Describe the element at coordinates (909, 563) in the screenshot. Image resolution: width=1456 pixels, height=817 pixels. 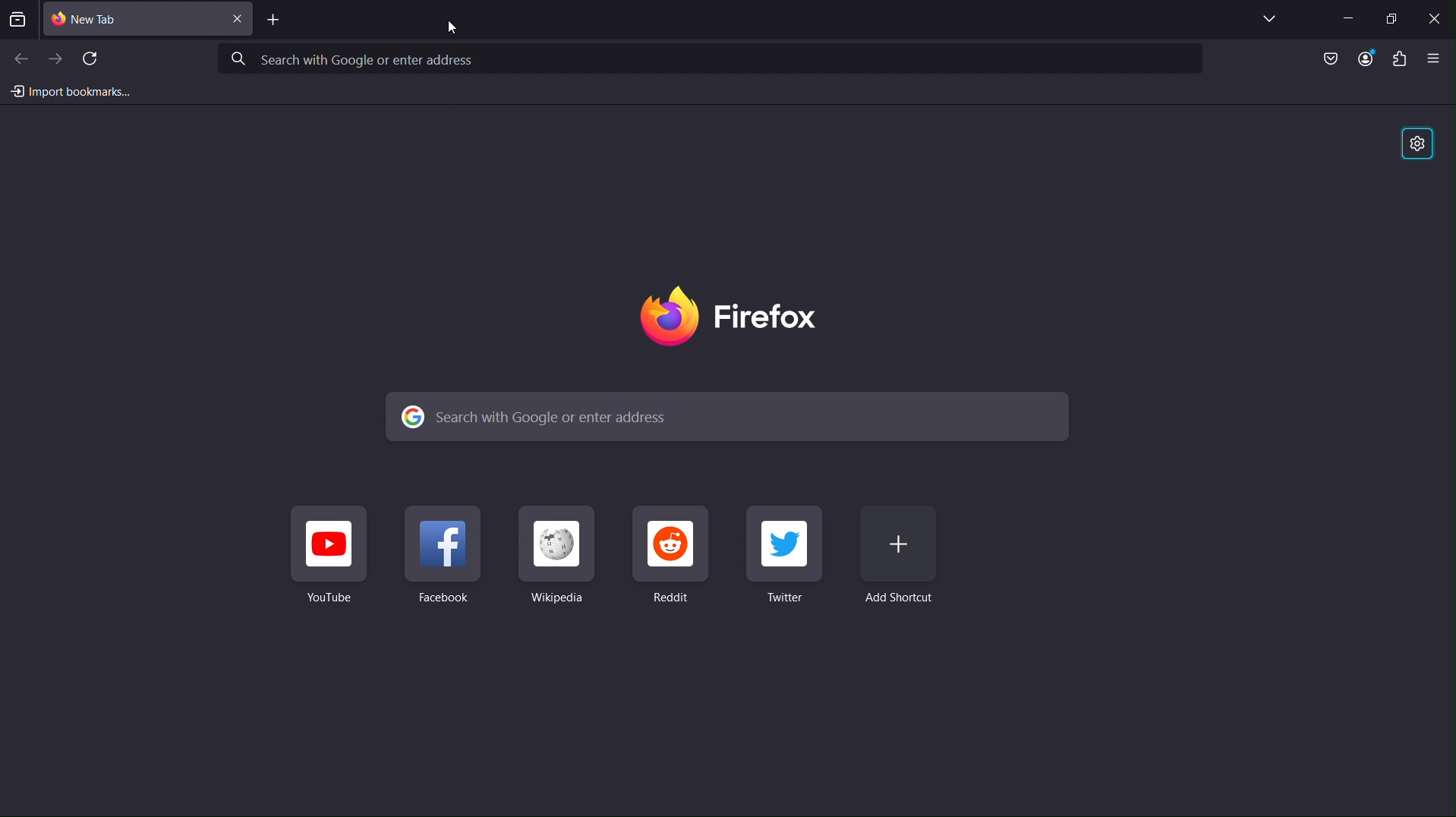
I see `Add Shortcut` at that location.